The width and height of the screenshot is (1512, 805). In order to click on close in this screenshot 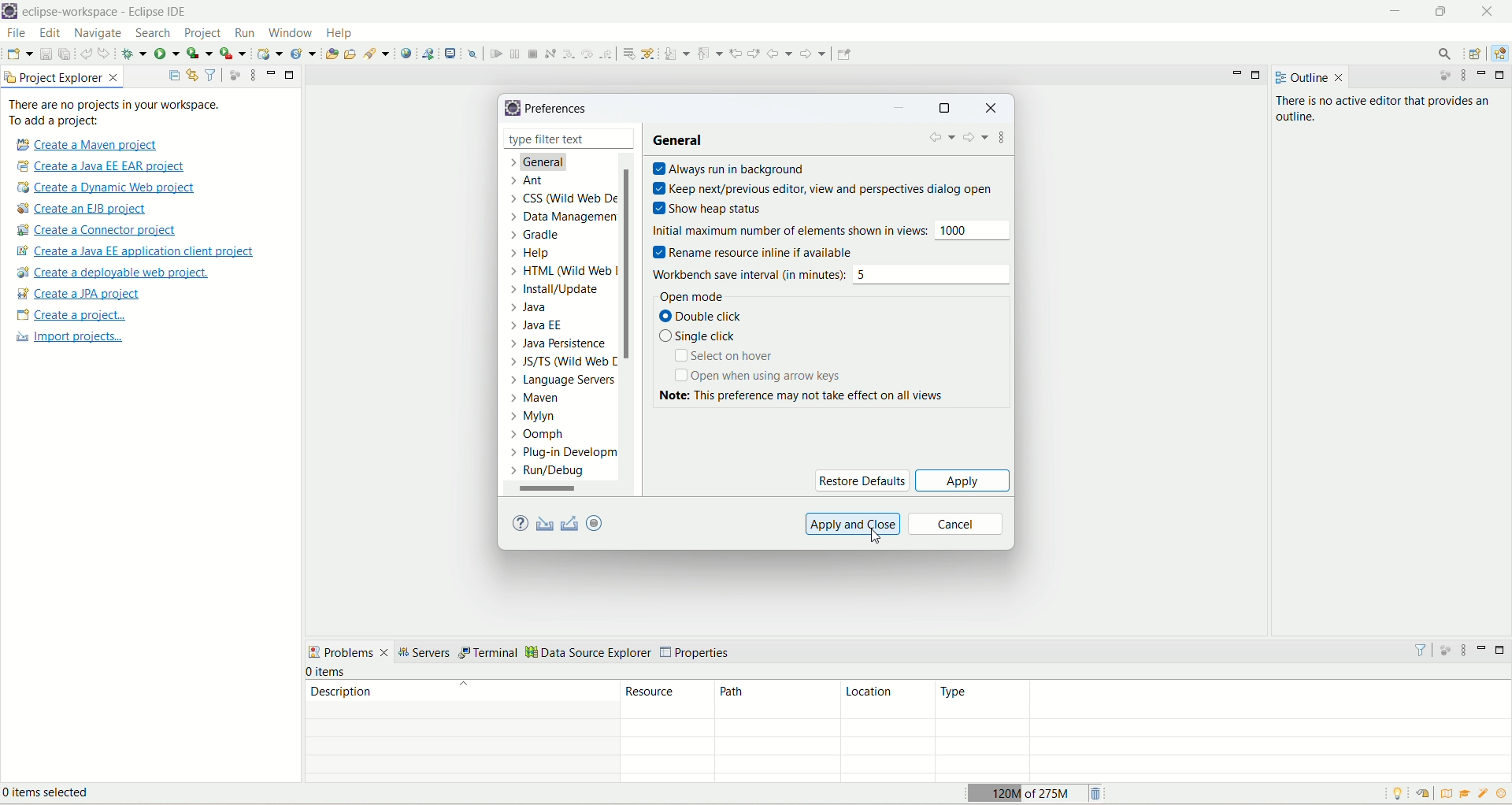, I will do `click(991, 109)`.